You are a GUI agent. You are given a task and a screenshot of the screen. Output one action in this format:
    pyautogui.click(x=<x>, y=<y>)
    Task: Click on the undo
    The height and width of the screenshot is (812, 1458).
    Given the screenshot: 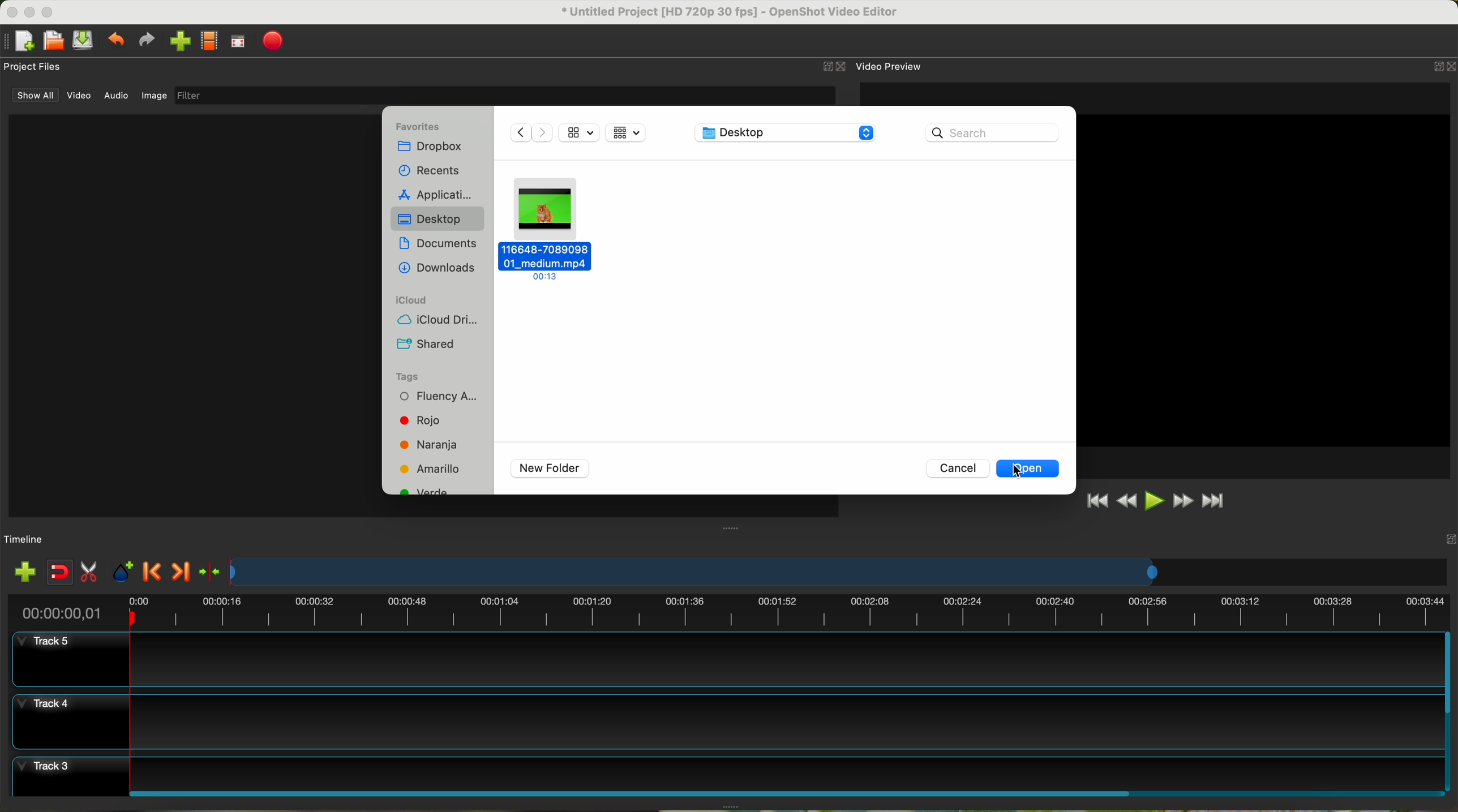 What is the action you would take?
    pyautogui.click(x=115, y=38)
    